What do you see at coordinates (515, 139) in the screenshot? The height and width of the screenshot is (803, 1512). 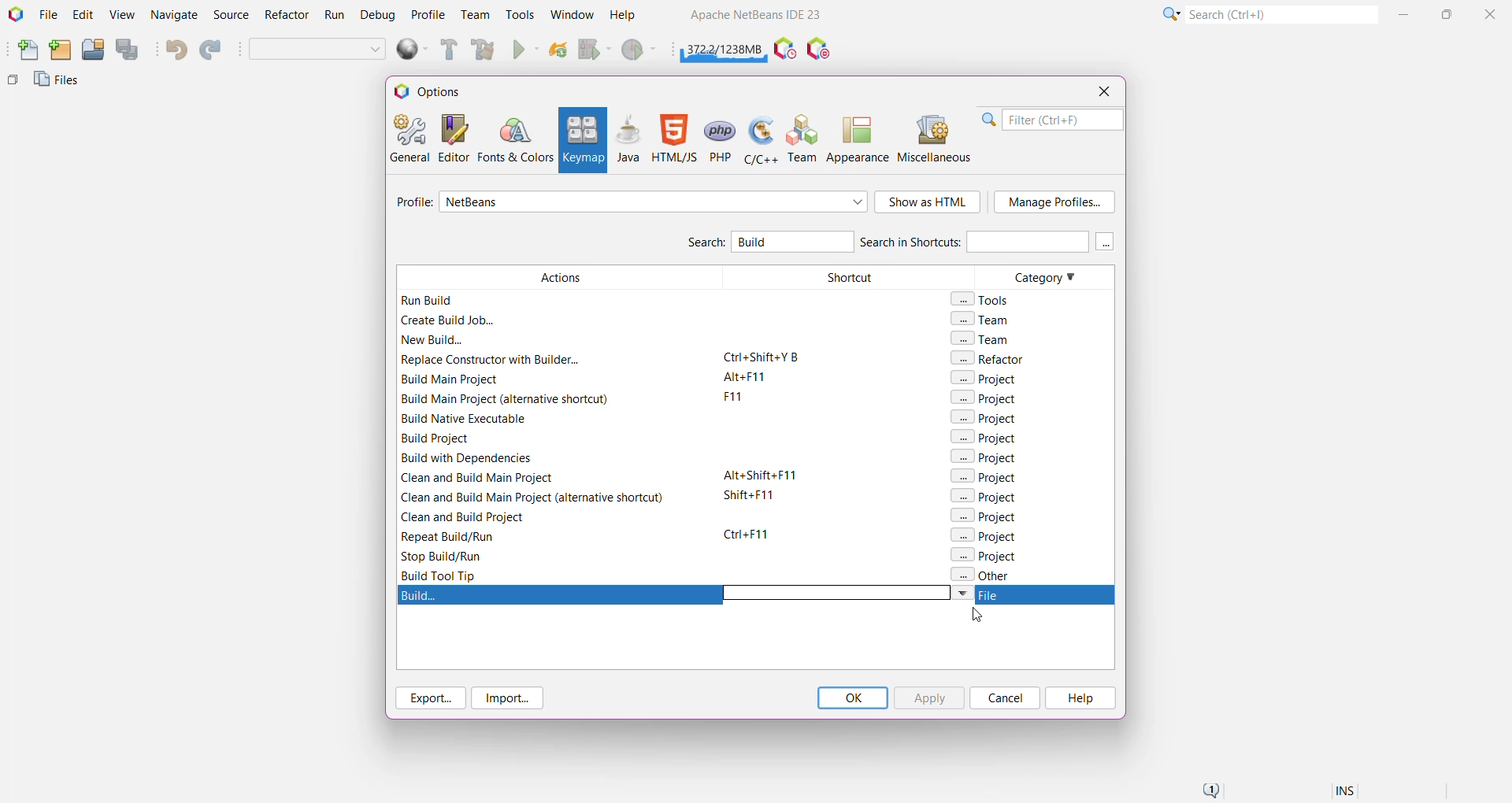 I see `Fonts and Colors` at bounding box center [515, 139].